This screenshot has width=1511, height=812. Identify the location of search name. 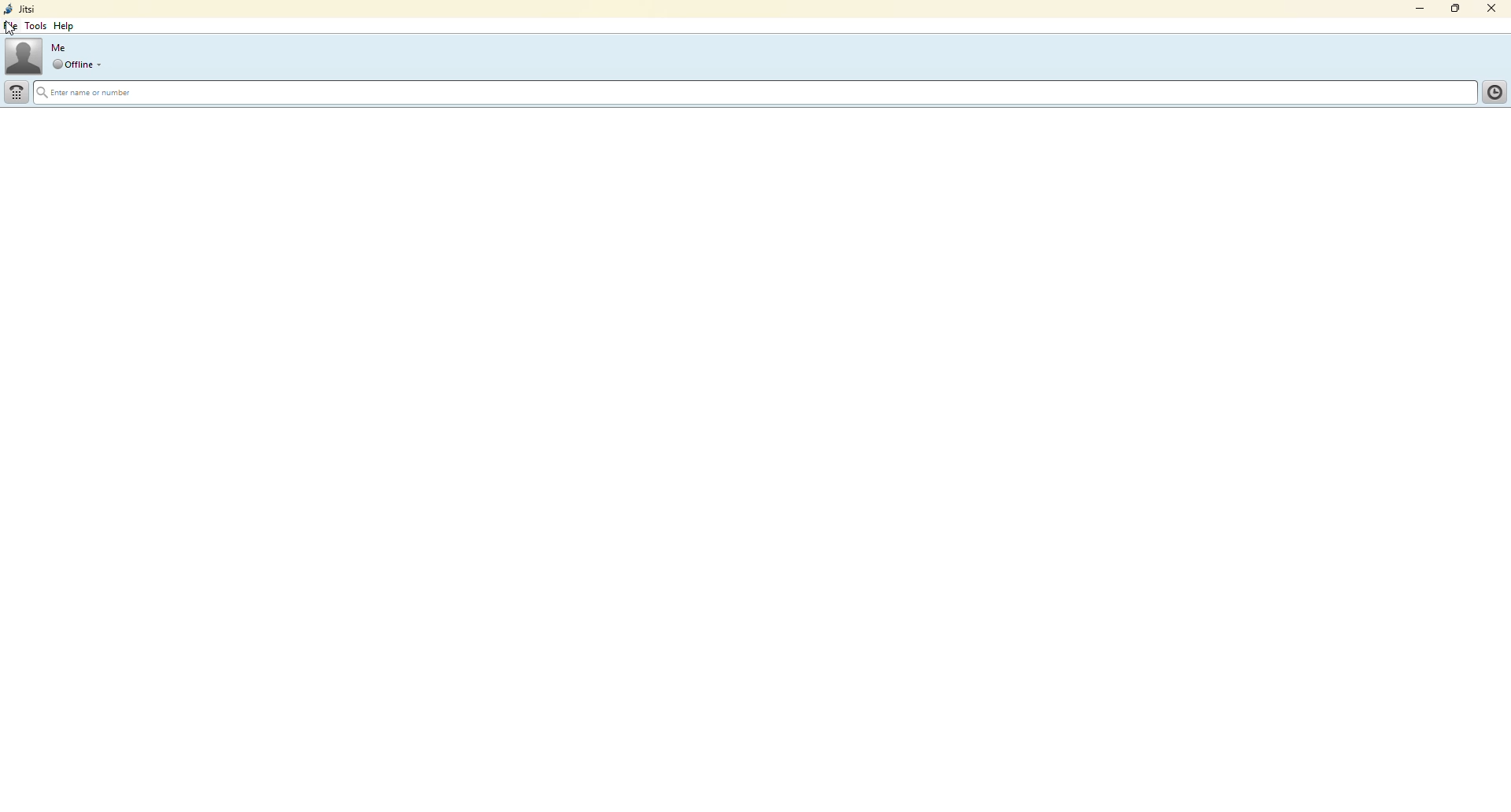
(754, 90).